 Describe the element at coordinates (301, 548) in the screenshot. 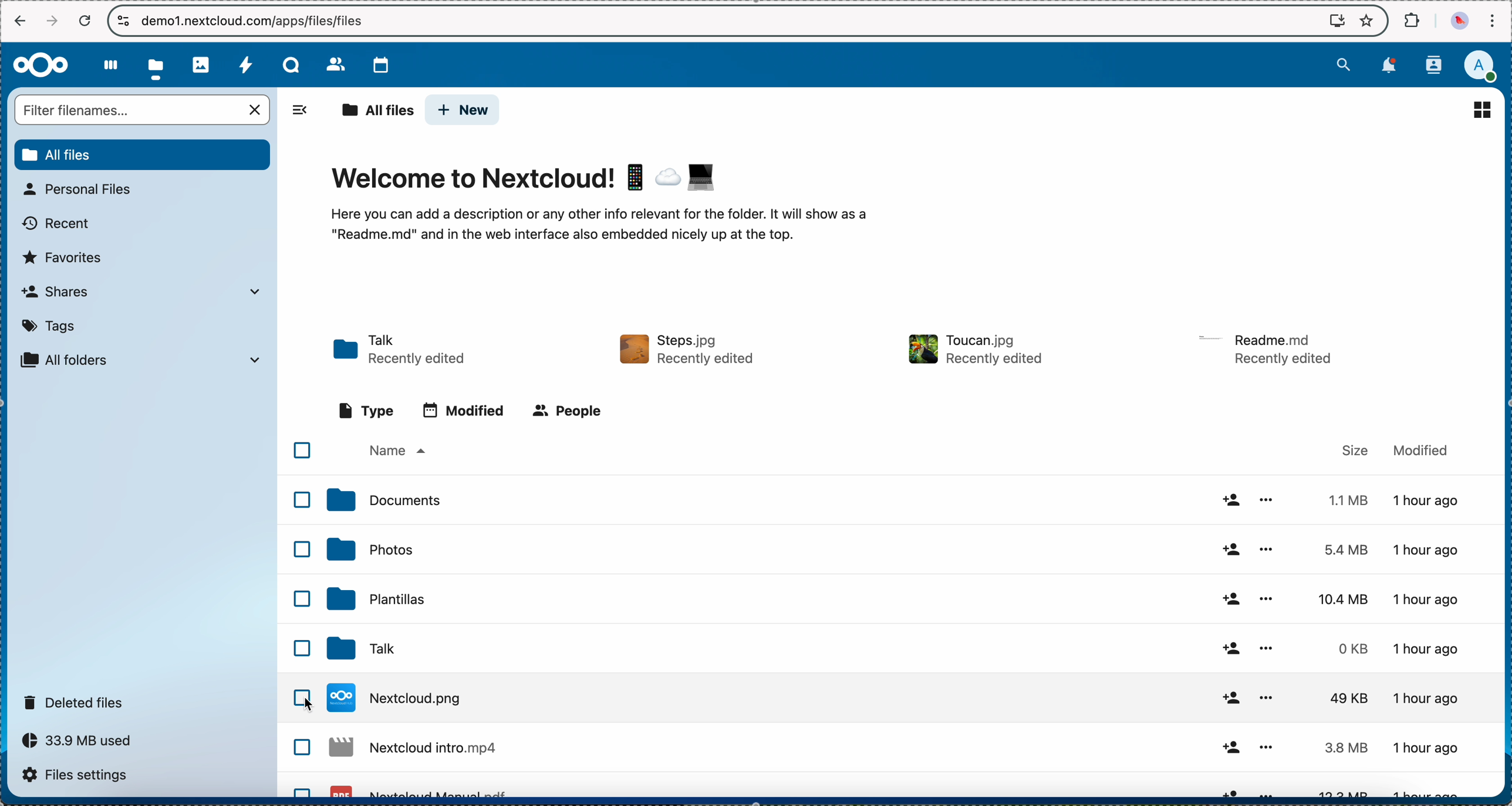

I see `checkbox list` at that location.